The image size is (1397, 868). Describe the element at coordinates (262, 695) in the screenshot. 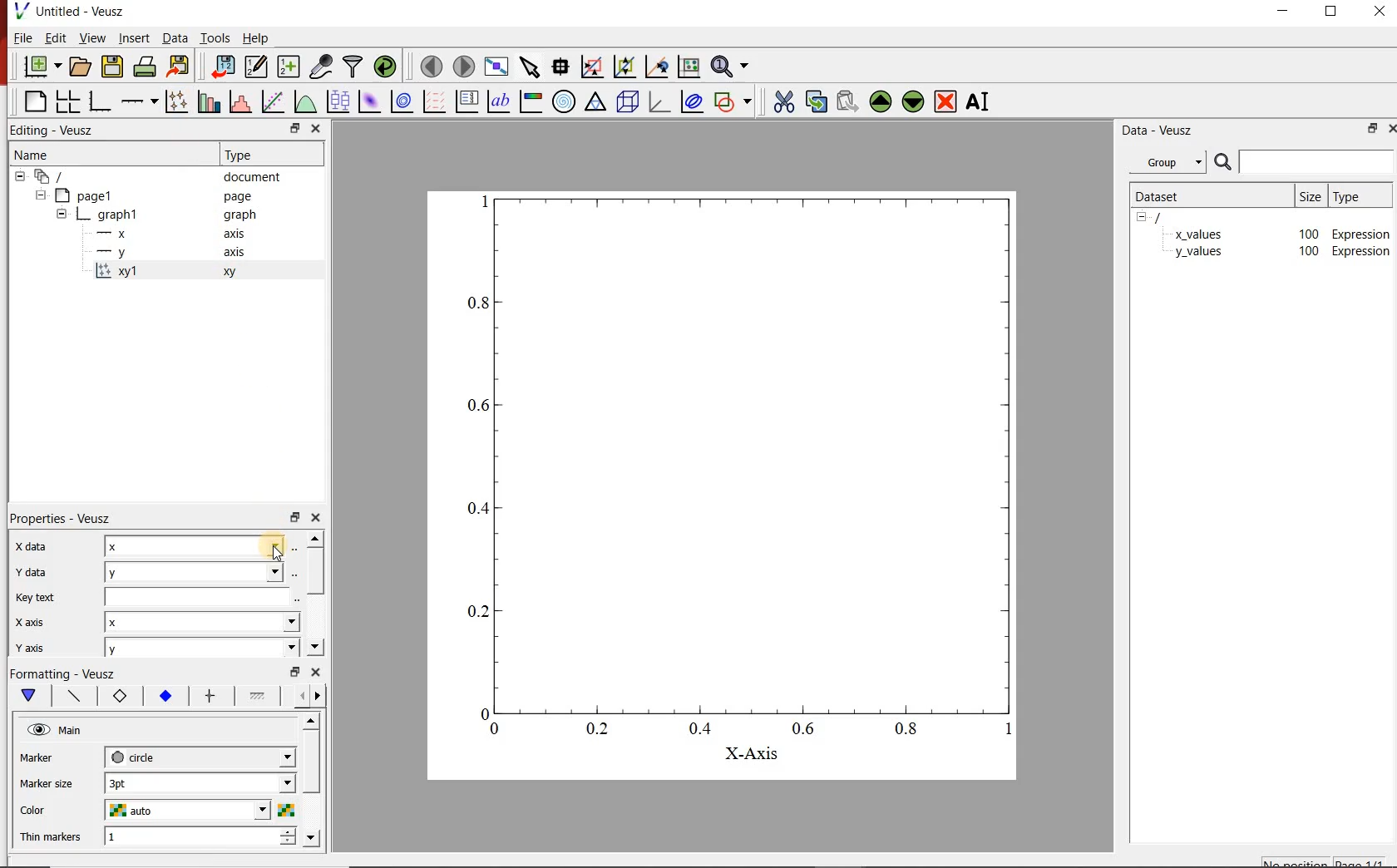

I see `fill 1` at that location.